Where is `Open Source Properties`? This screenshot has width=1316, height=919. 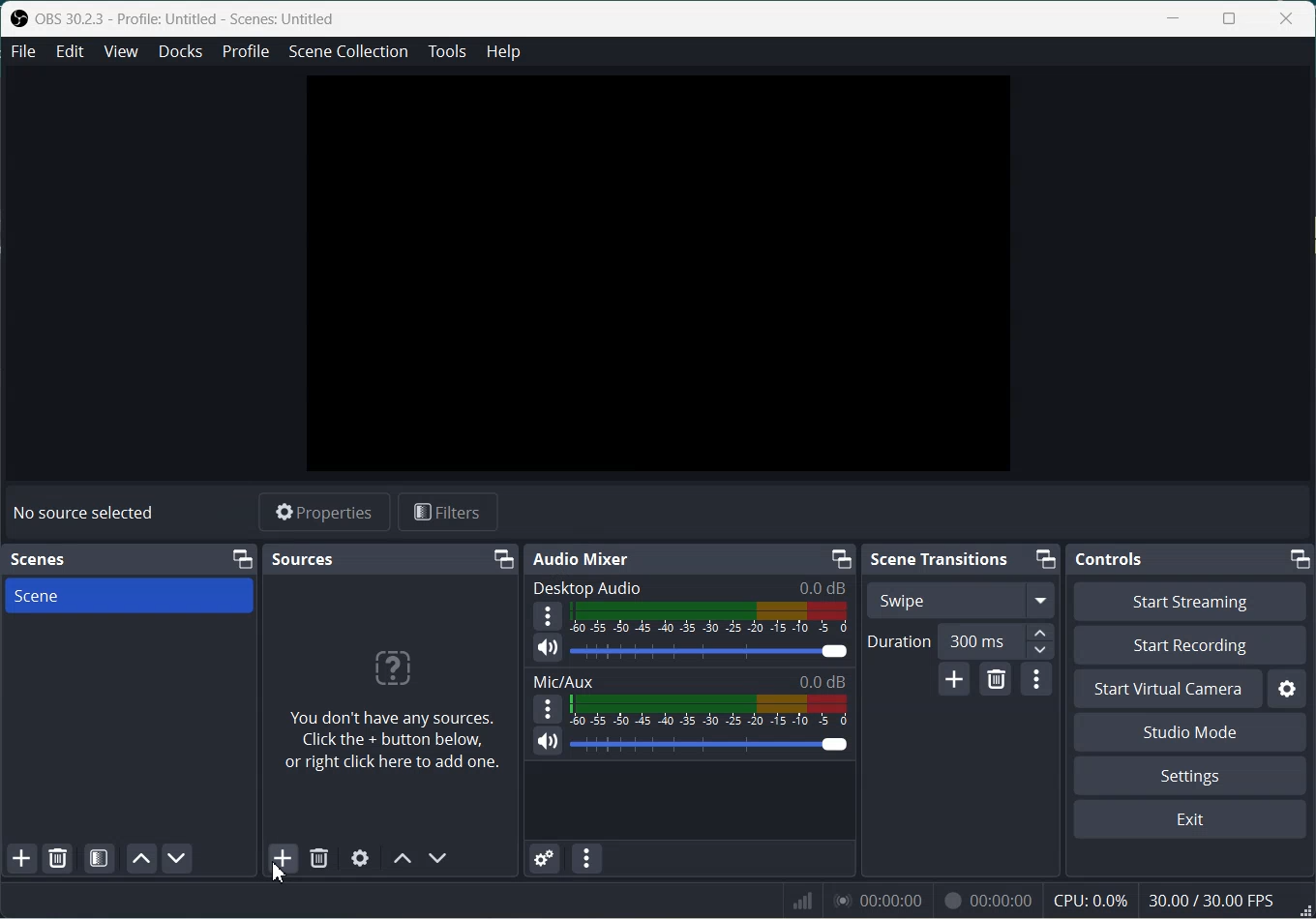 Open Source Properties is located at coordinates (360, 856).